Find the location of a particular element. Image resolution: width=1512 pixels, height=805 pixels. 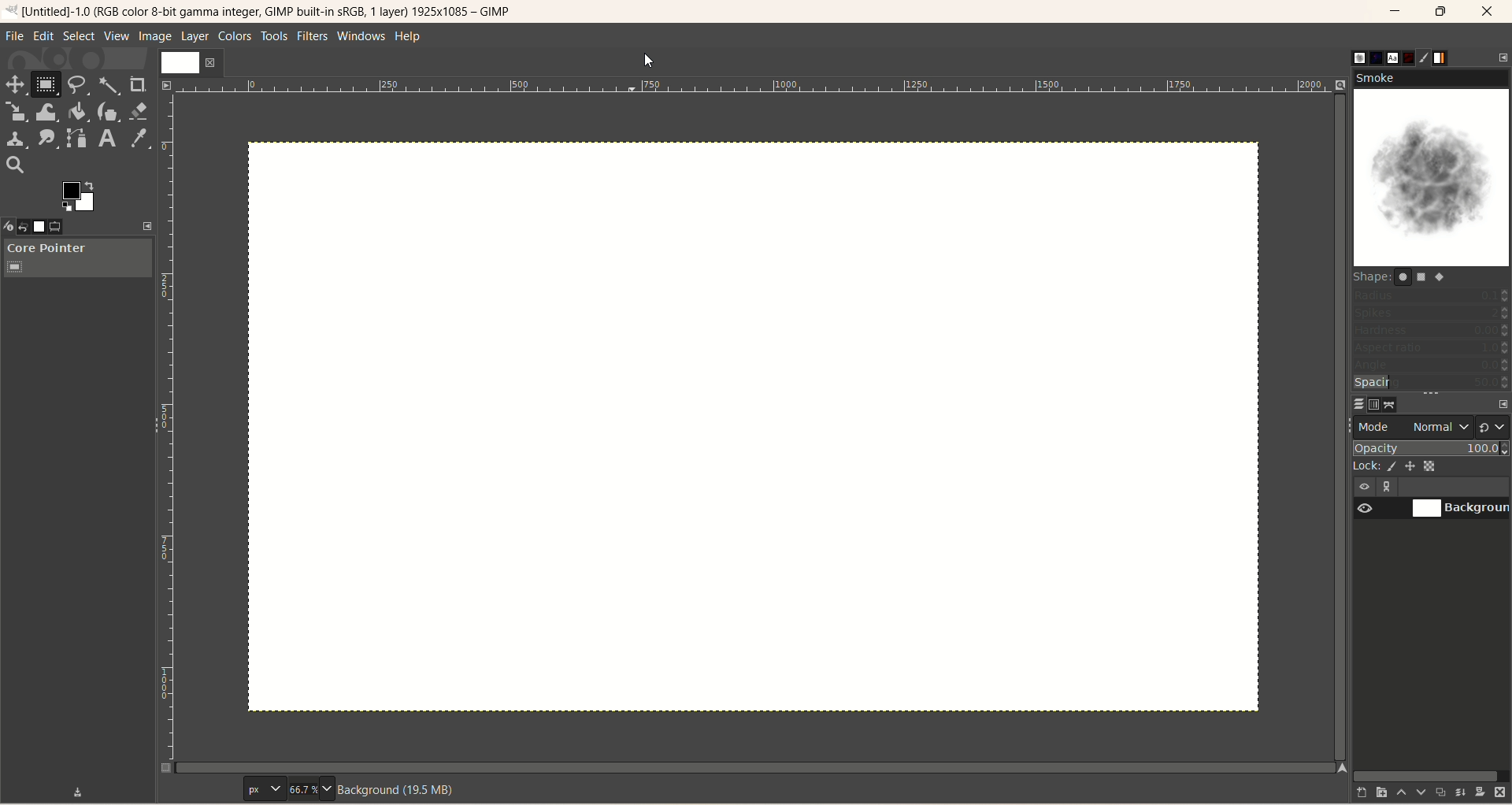

mode is located at coordinates (1378, 426).